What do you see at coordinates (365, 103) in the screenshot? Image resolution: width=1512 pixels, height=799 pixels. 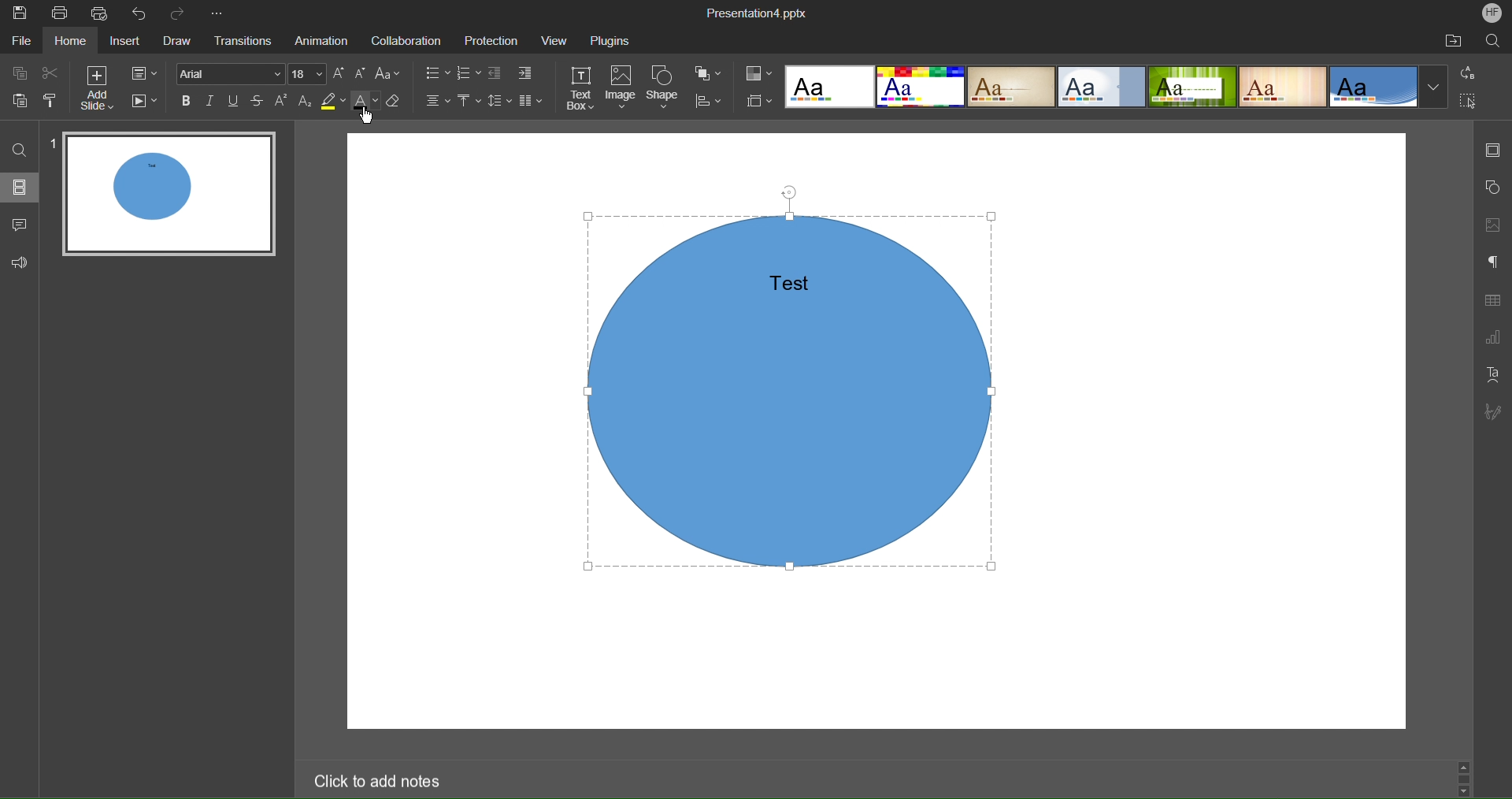 I see `Text Color` at bounding box center [365, 103].